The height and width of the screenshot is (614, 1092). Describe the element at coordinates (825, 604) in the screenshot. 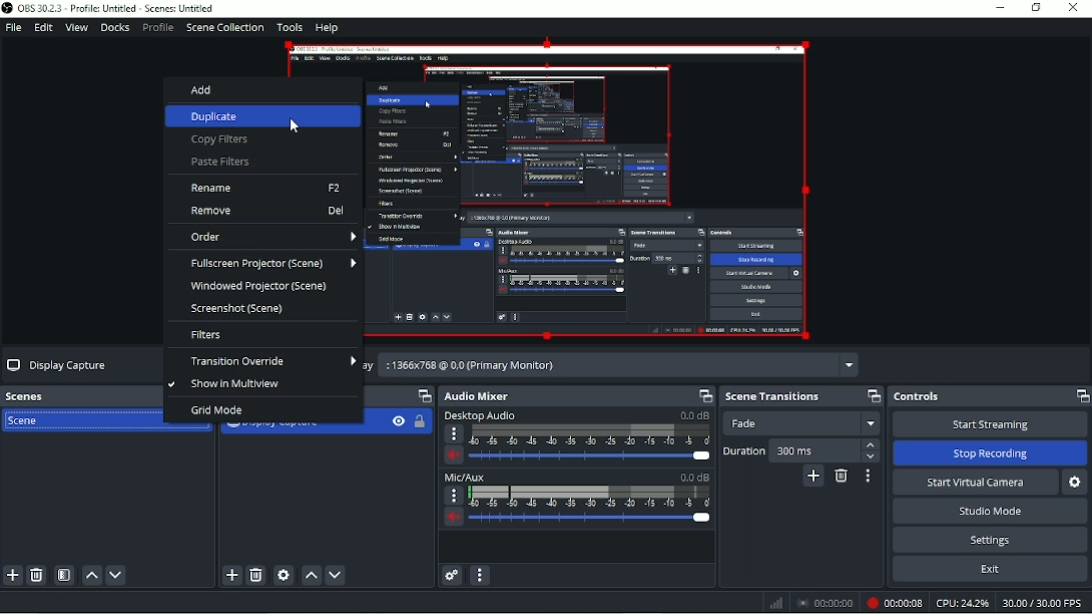

I see `00:00:00` at that location.